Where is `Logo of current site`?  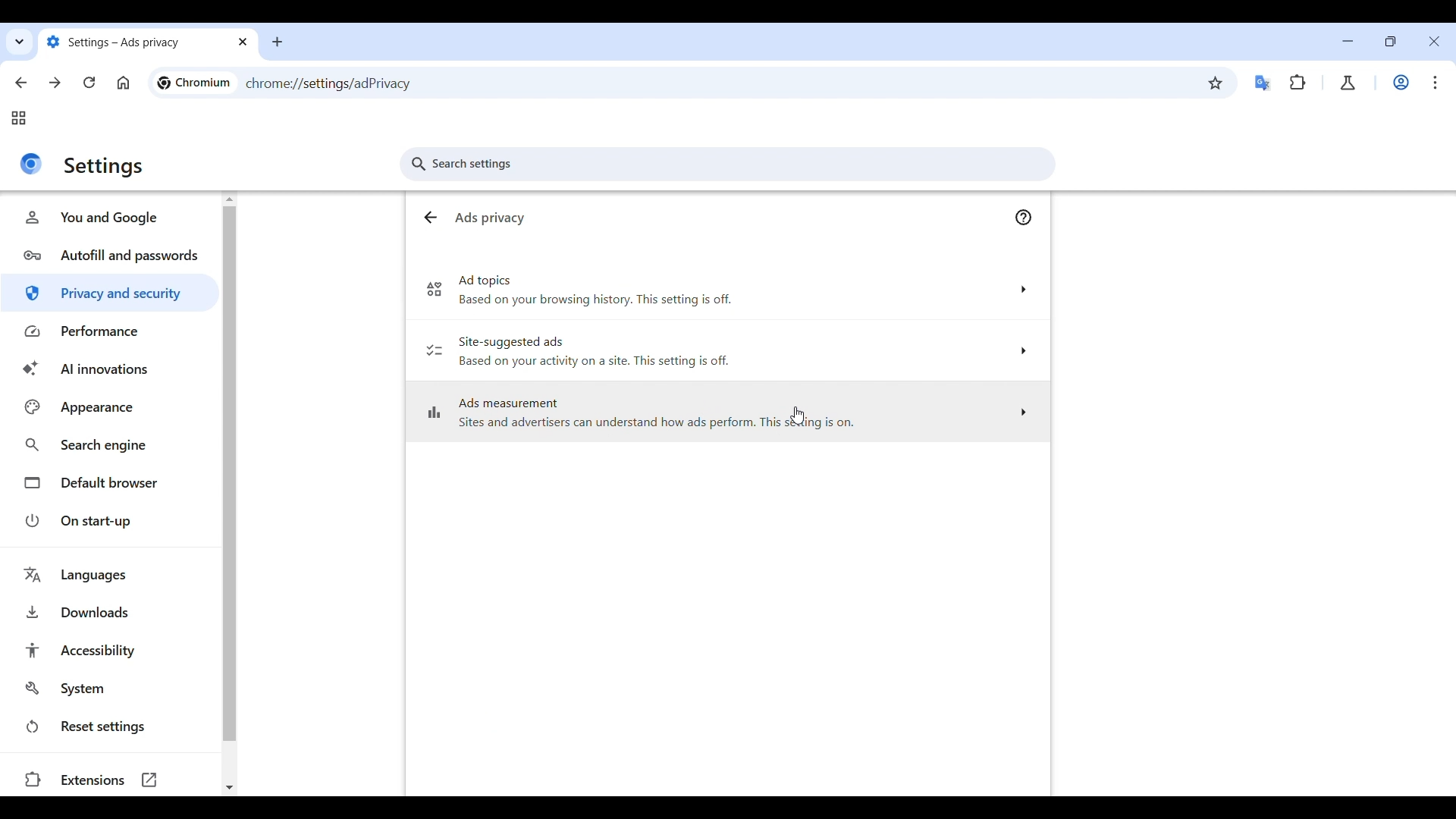
Logo of current site is located at coordinates (31, 164).